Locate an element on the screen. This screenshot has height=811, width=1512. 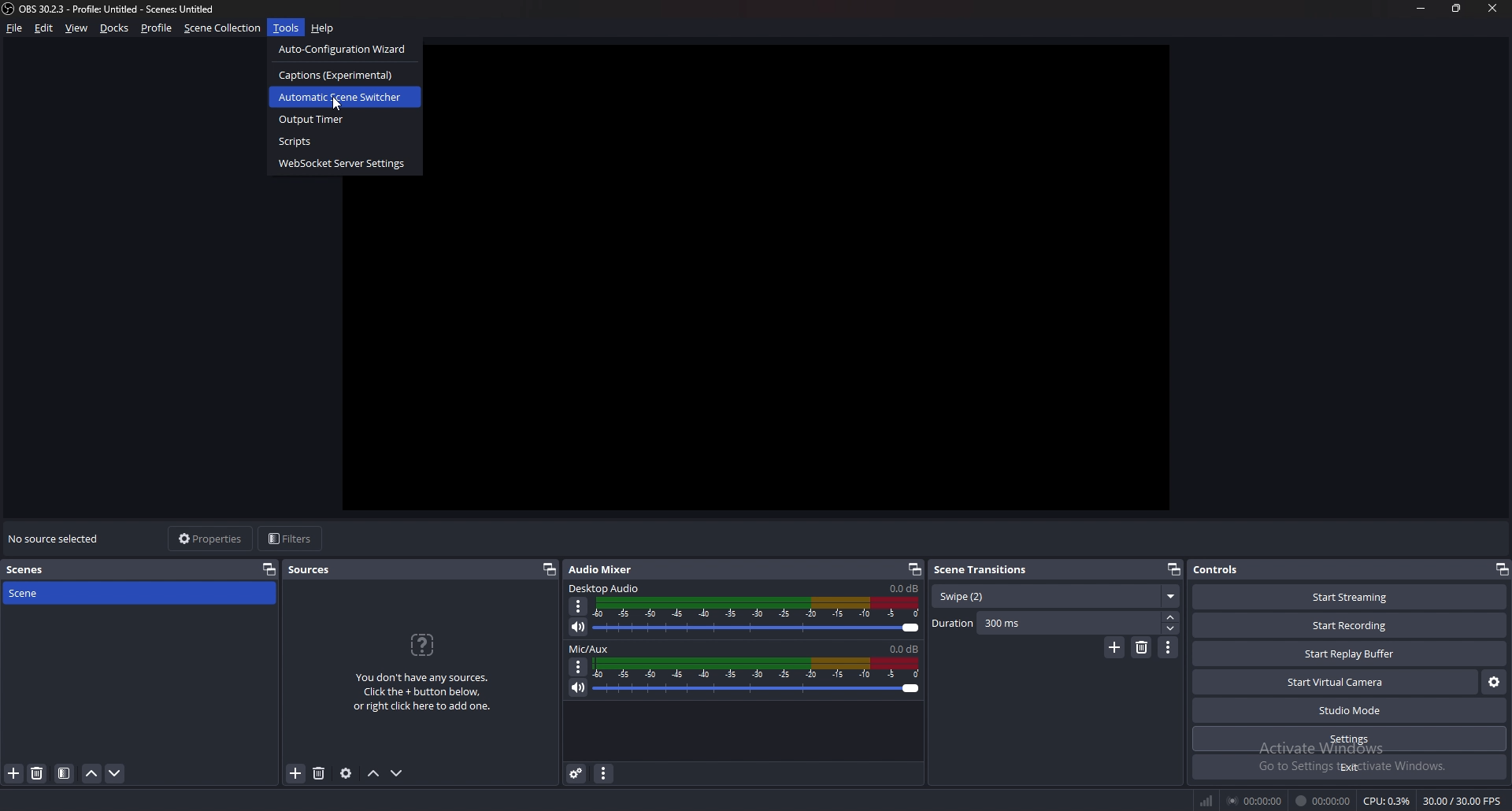
start virtual camera is located at coordinates (1337, 682).